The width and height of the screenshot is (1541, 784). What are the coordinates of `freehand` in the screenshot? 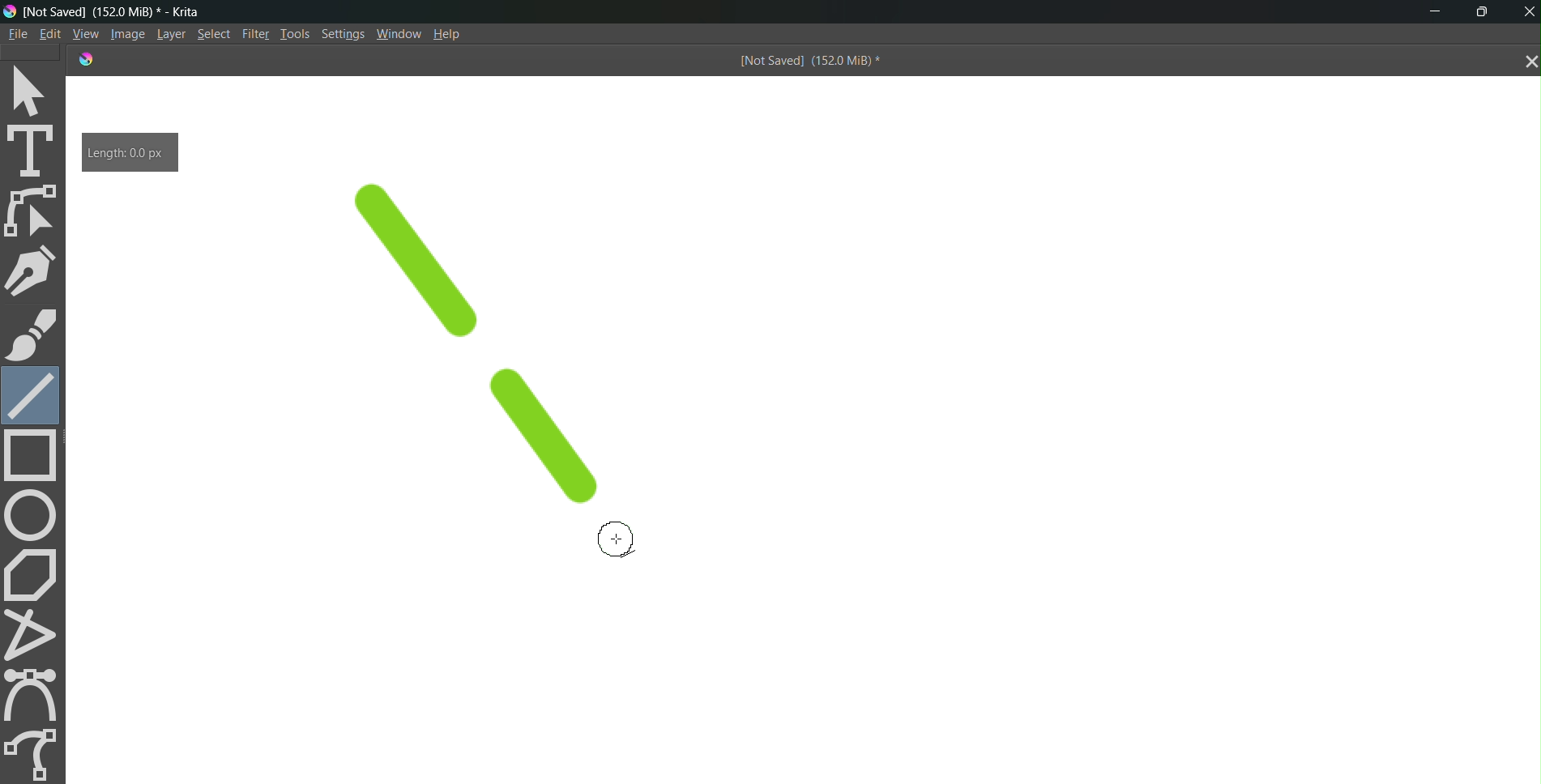 It's located at (34, 752).